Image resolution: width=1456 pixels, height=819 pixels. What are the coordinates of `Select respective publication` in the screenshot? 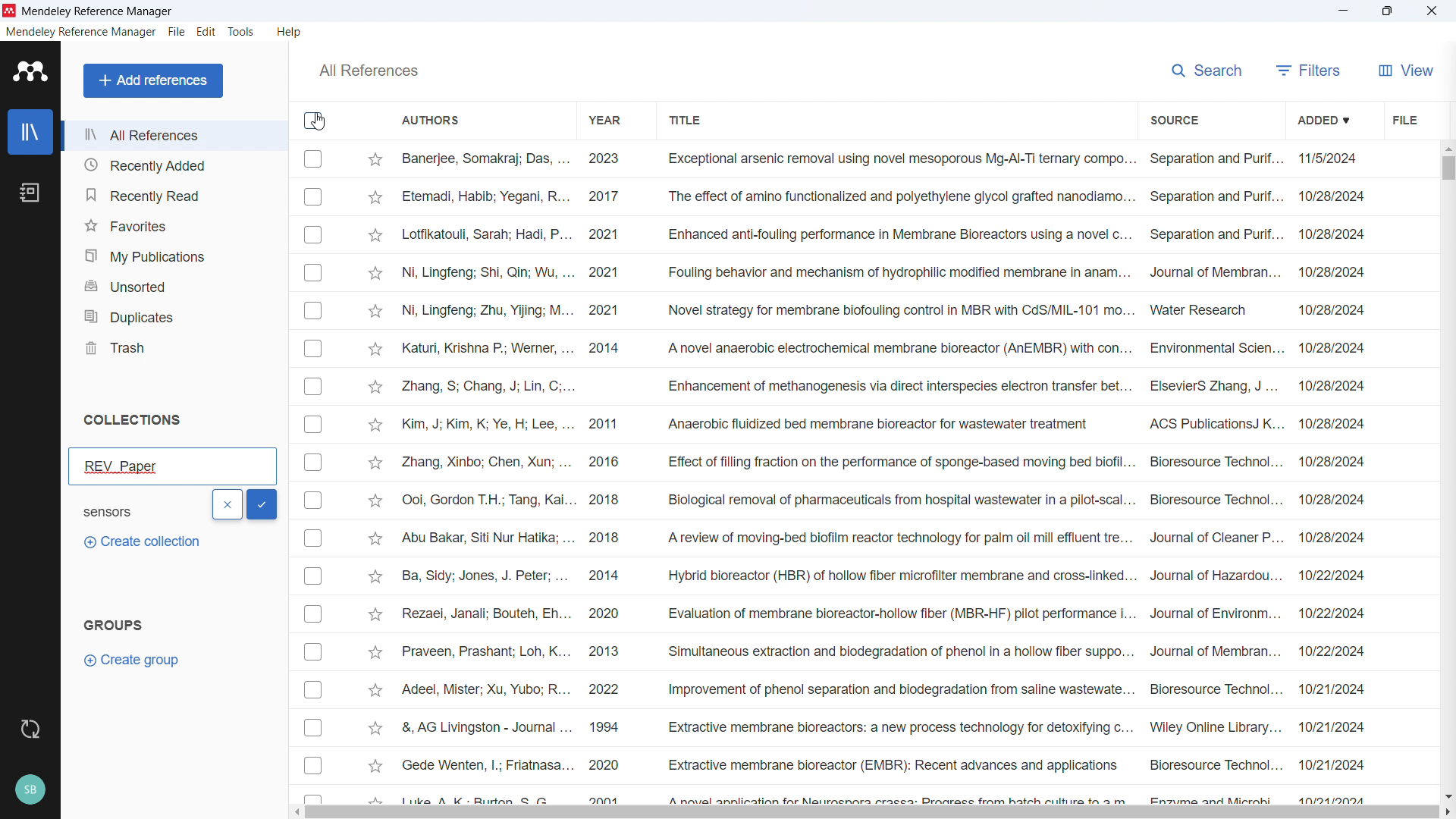 It's located at (313, 197).